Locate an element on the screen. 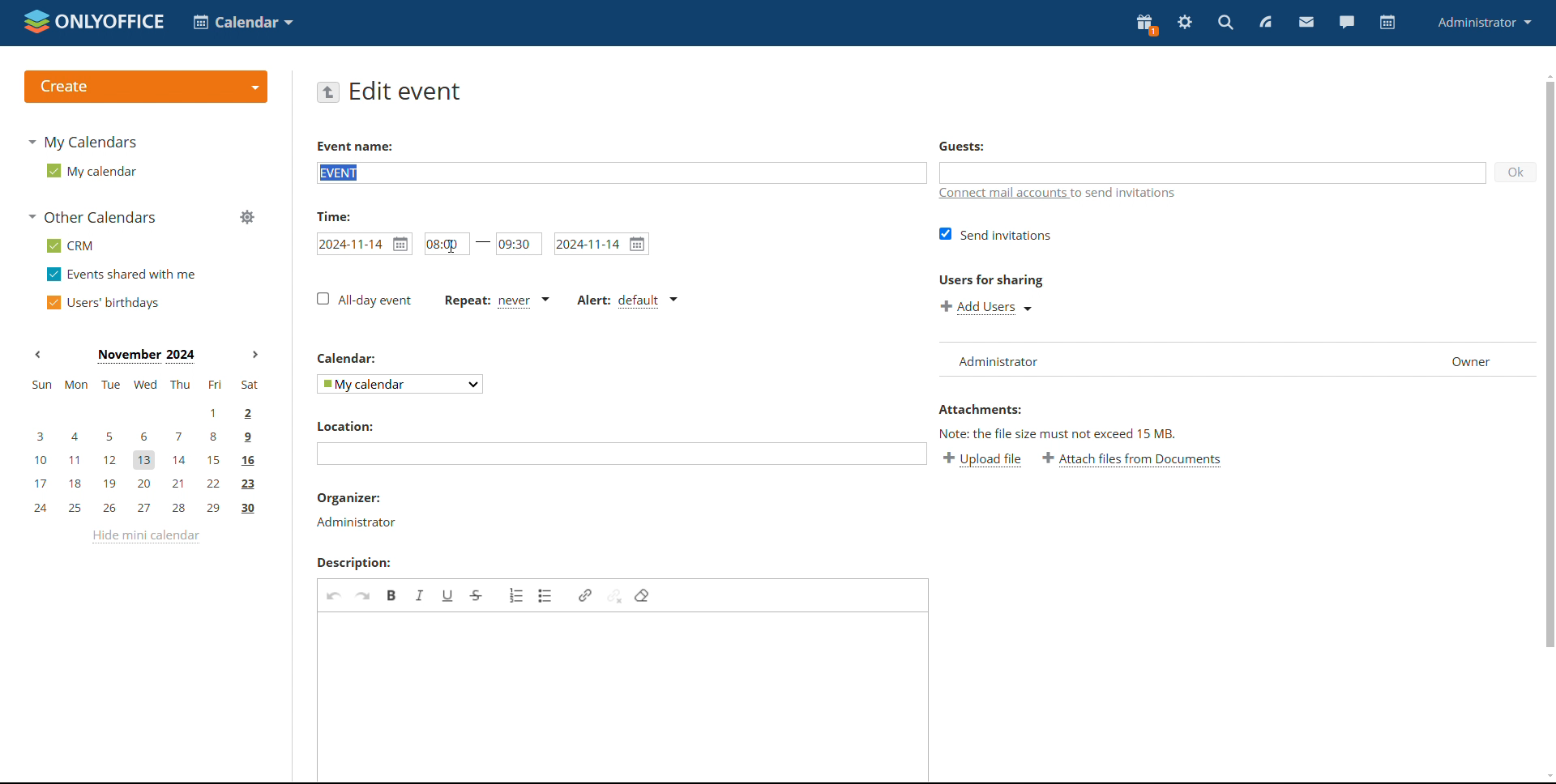 The width and height of the screenshot is (1556, 784). scroll down is located at coordinates (1546, 776).